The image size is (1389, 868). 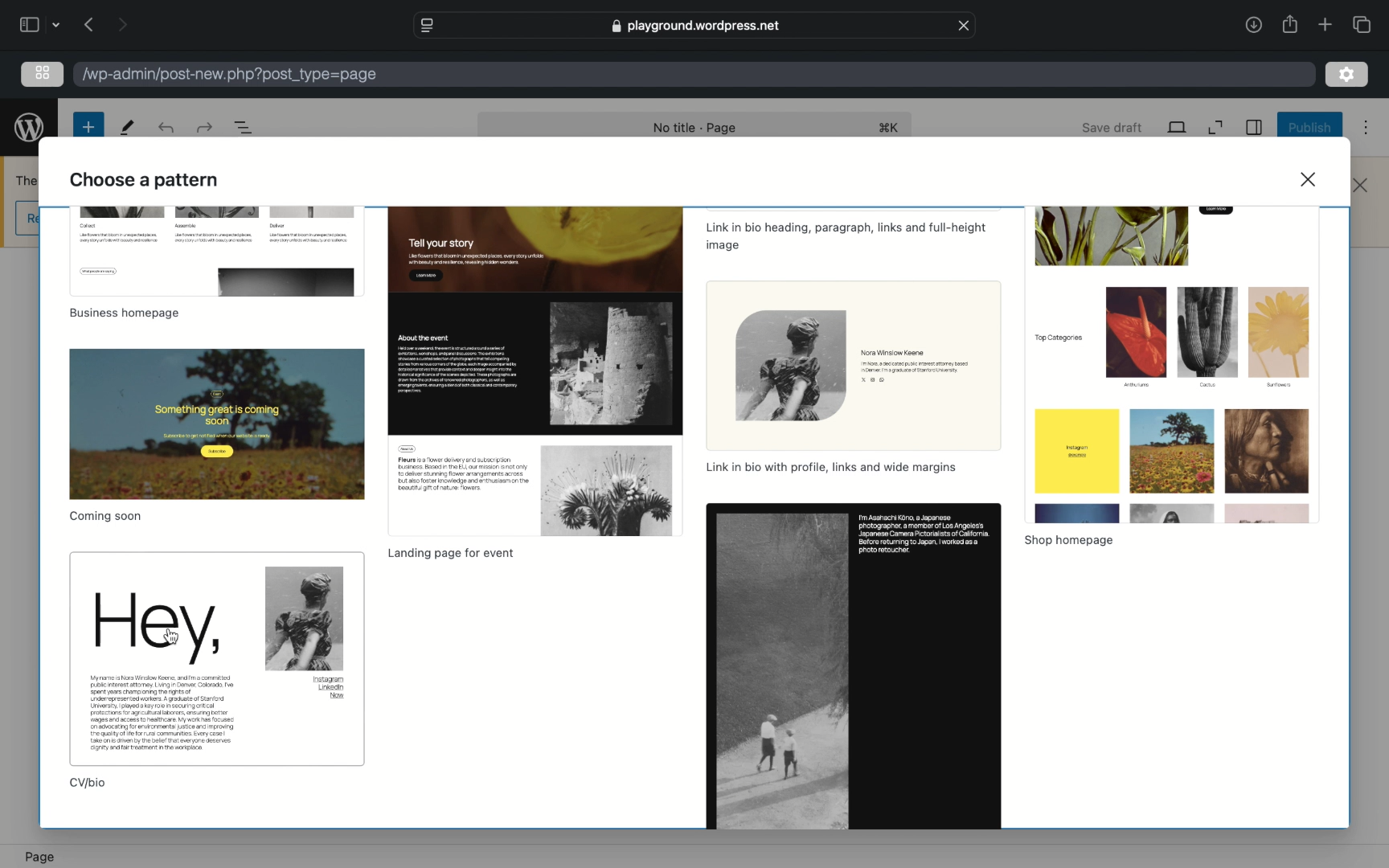 I want to click on preview, so click(x=854, y=666).